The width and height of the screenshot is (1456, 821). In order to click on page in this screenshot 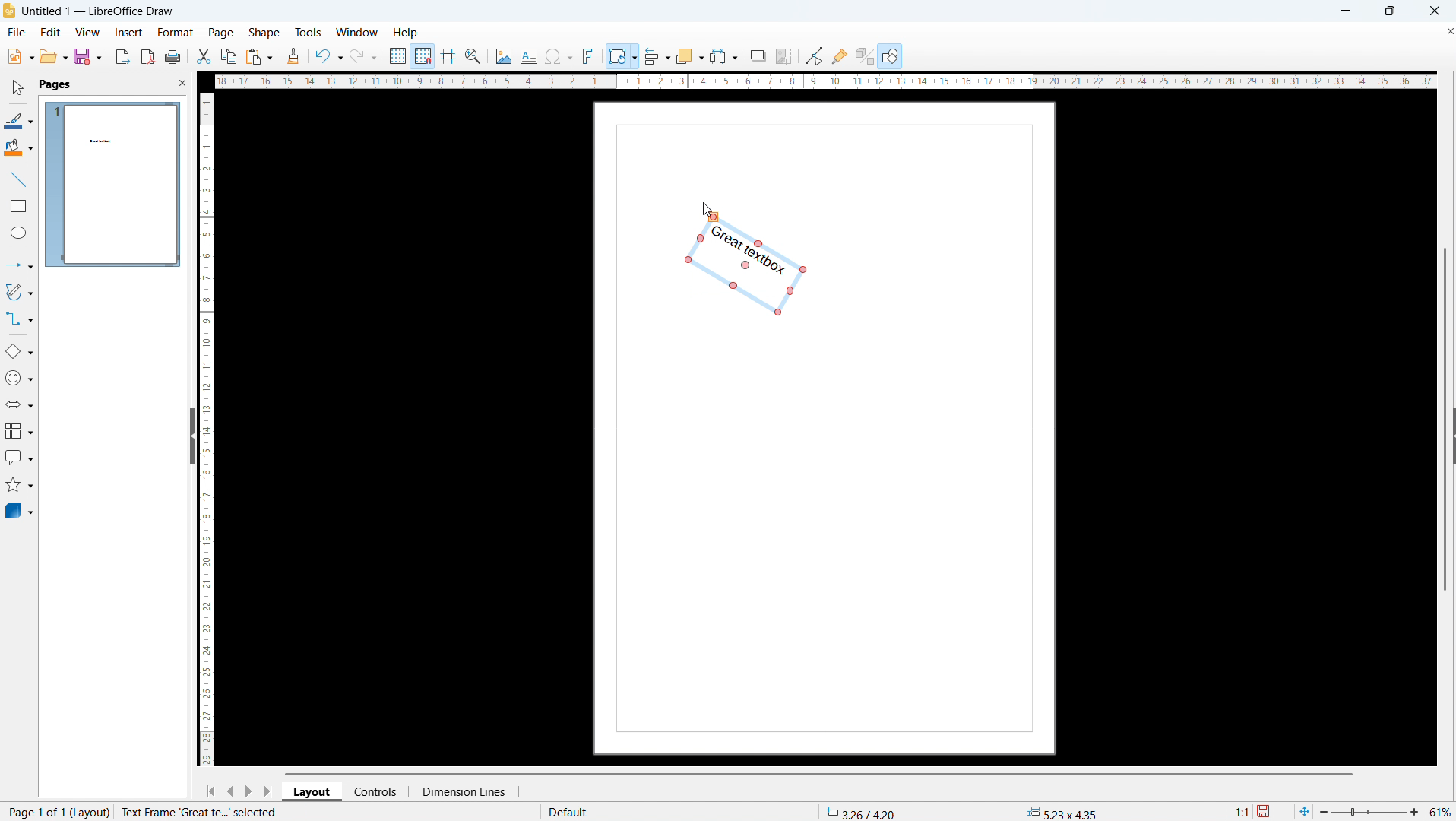, I will do `click(221, 33)`.